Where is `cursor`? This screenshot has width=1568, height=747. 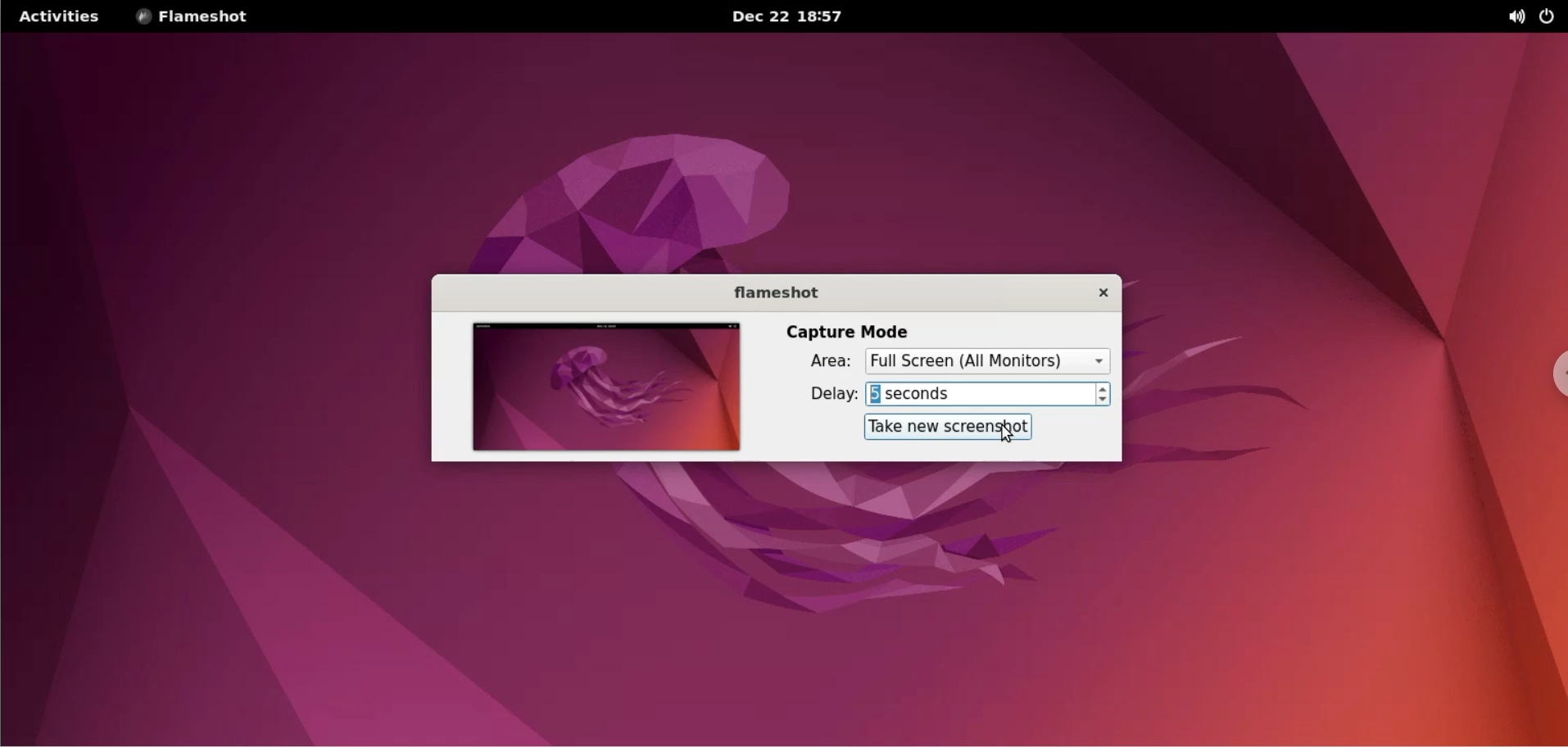
cursor is located at coordinates (1016, 435).